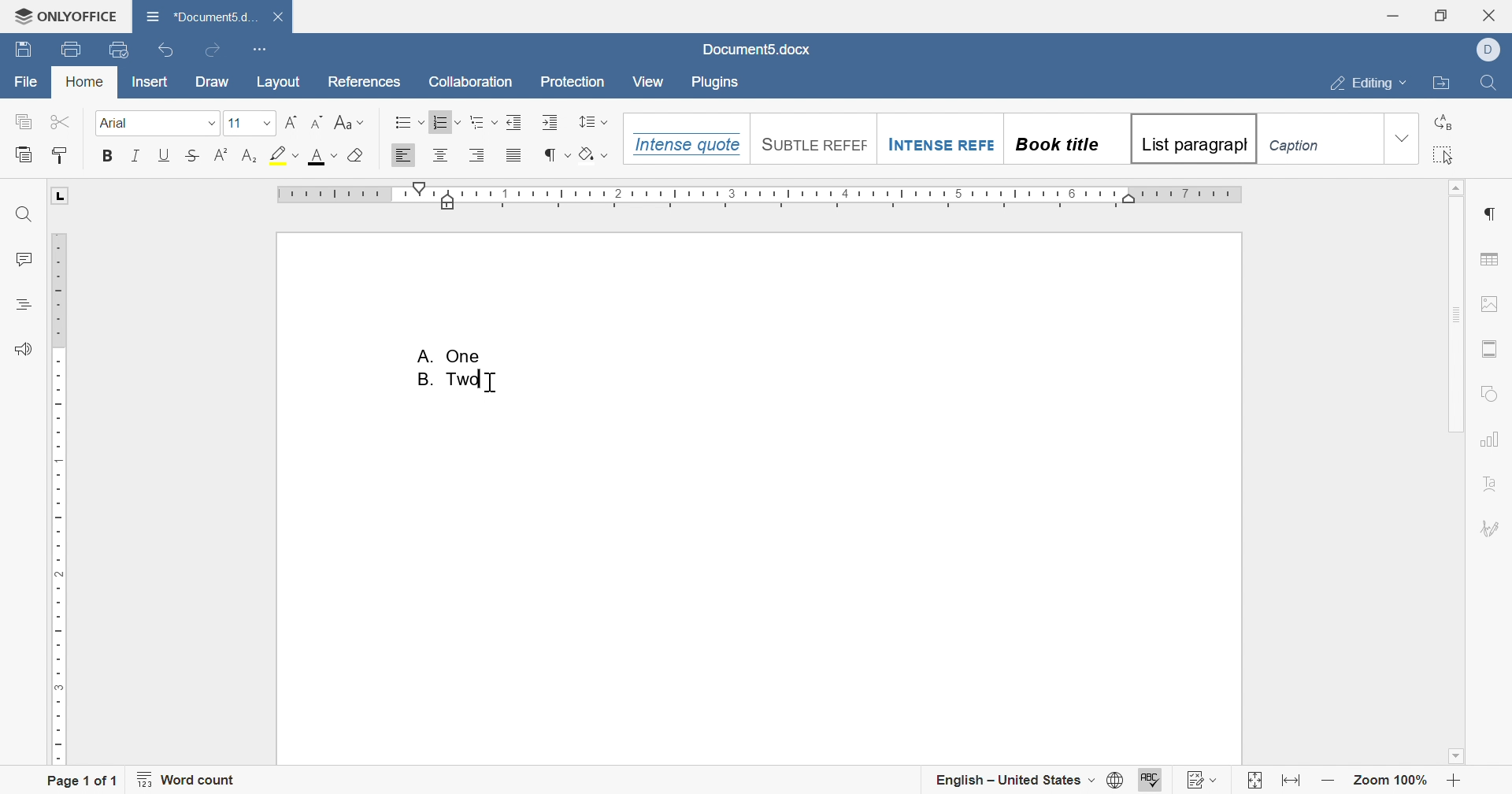  I want to click on zoom 100%, so click(1390, 782).